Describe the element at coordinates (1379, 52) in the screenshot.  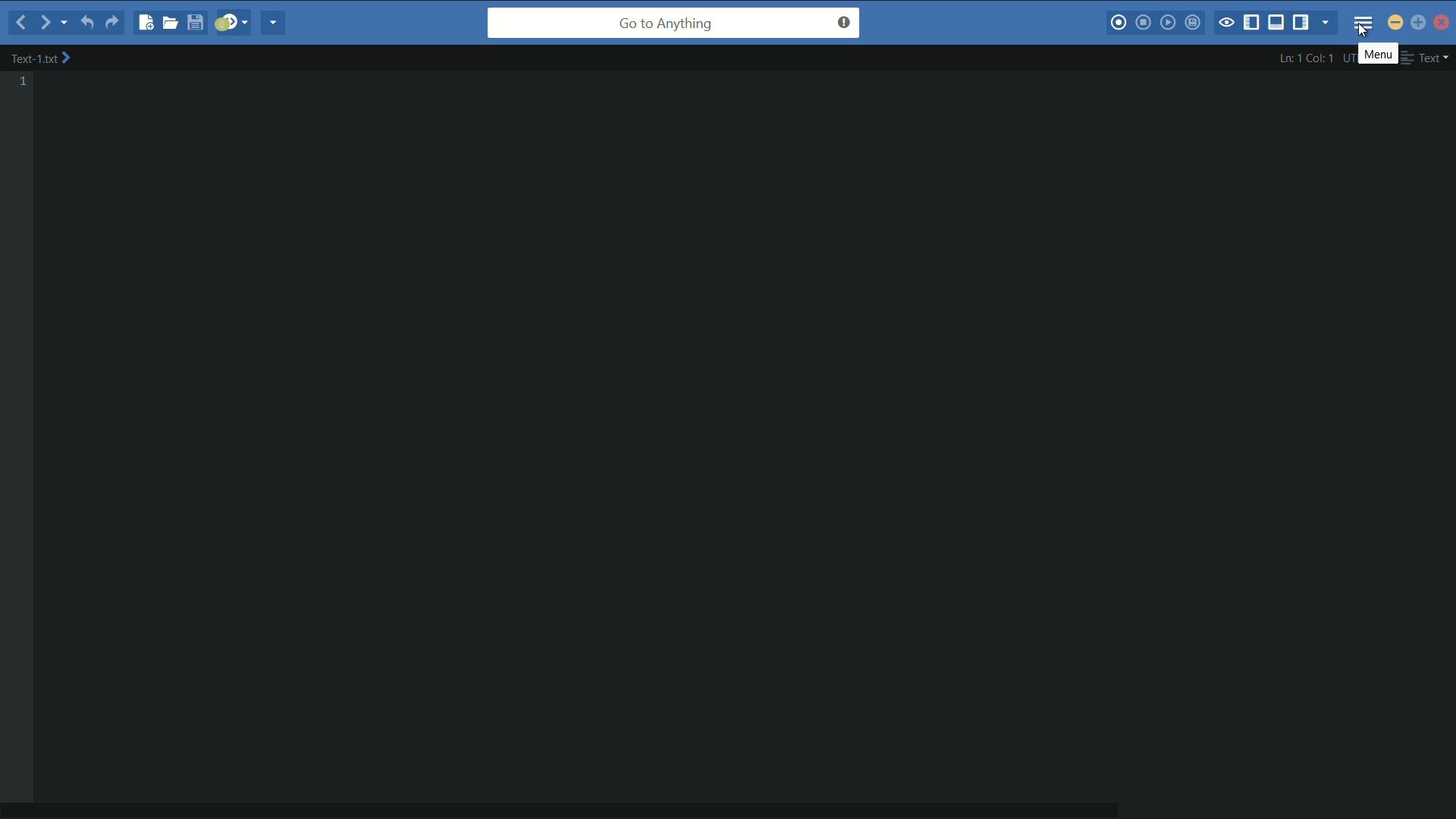
I see `menu pop up` at that location.